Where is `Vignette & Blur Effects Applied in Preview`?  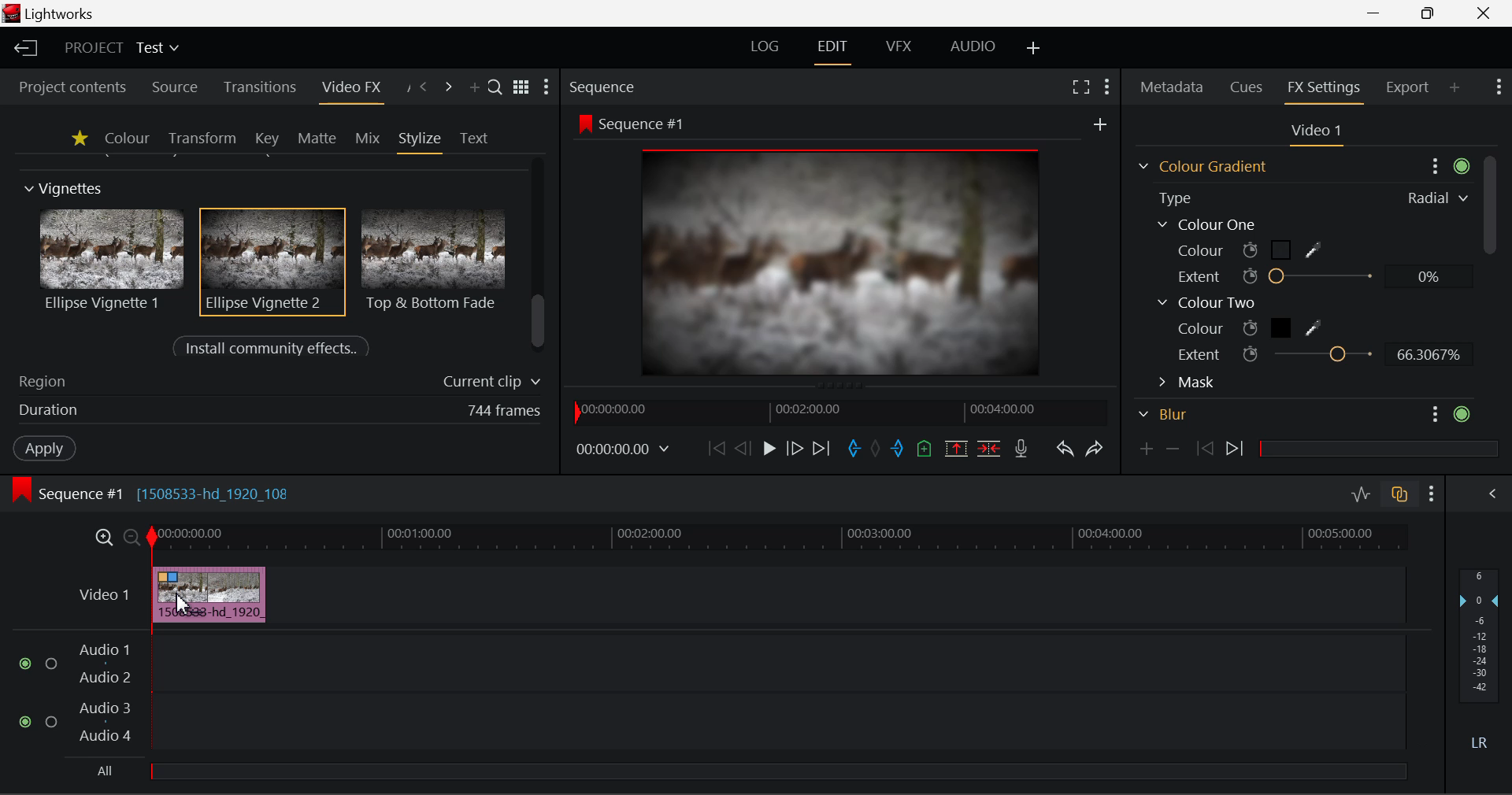 Vignette & Blur Effects Applied in Preview is located at coordinates (816, 244).